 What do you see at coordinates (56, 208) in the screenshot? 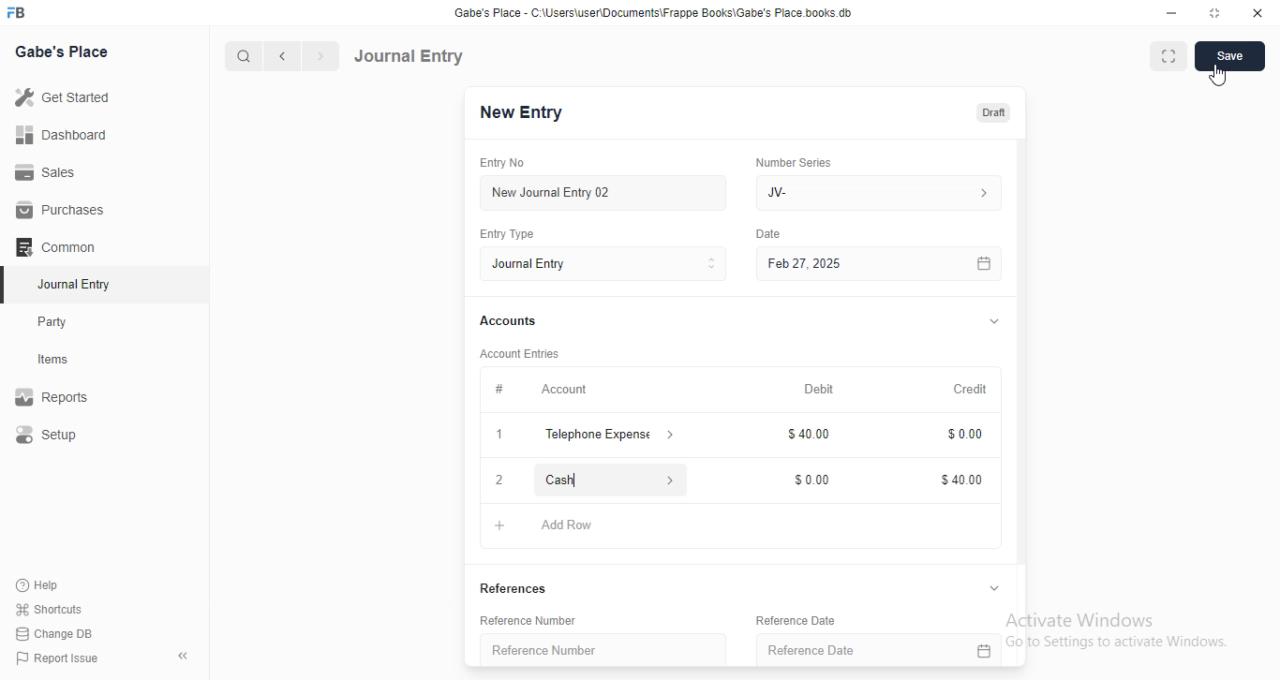
I see `Purchases` at bounding box center [56, 208].